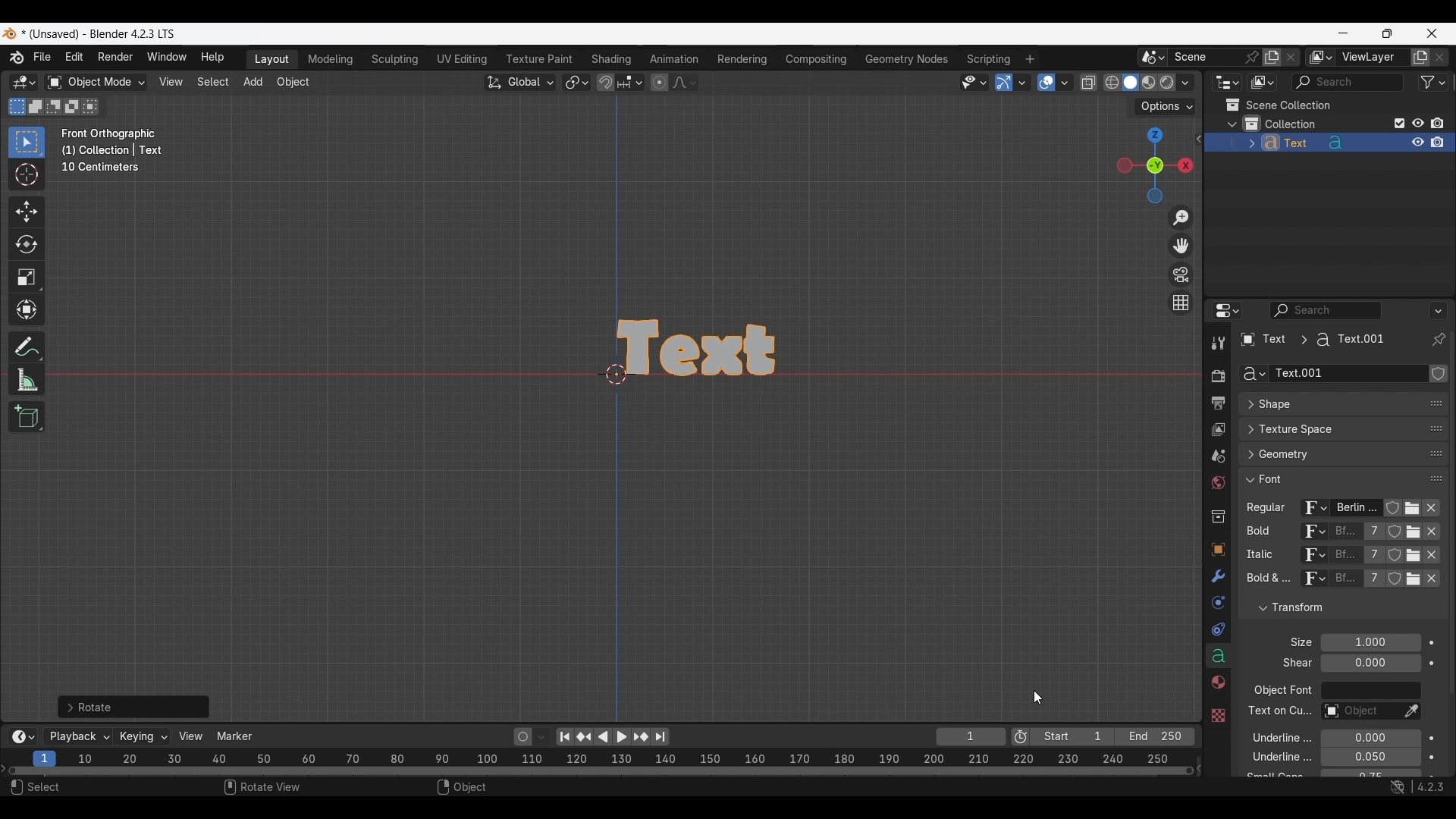  I want to click on Help menu, so click(211, 58).